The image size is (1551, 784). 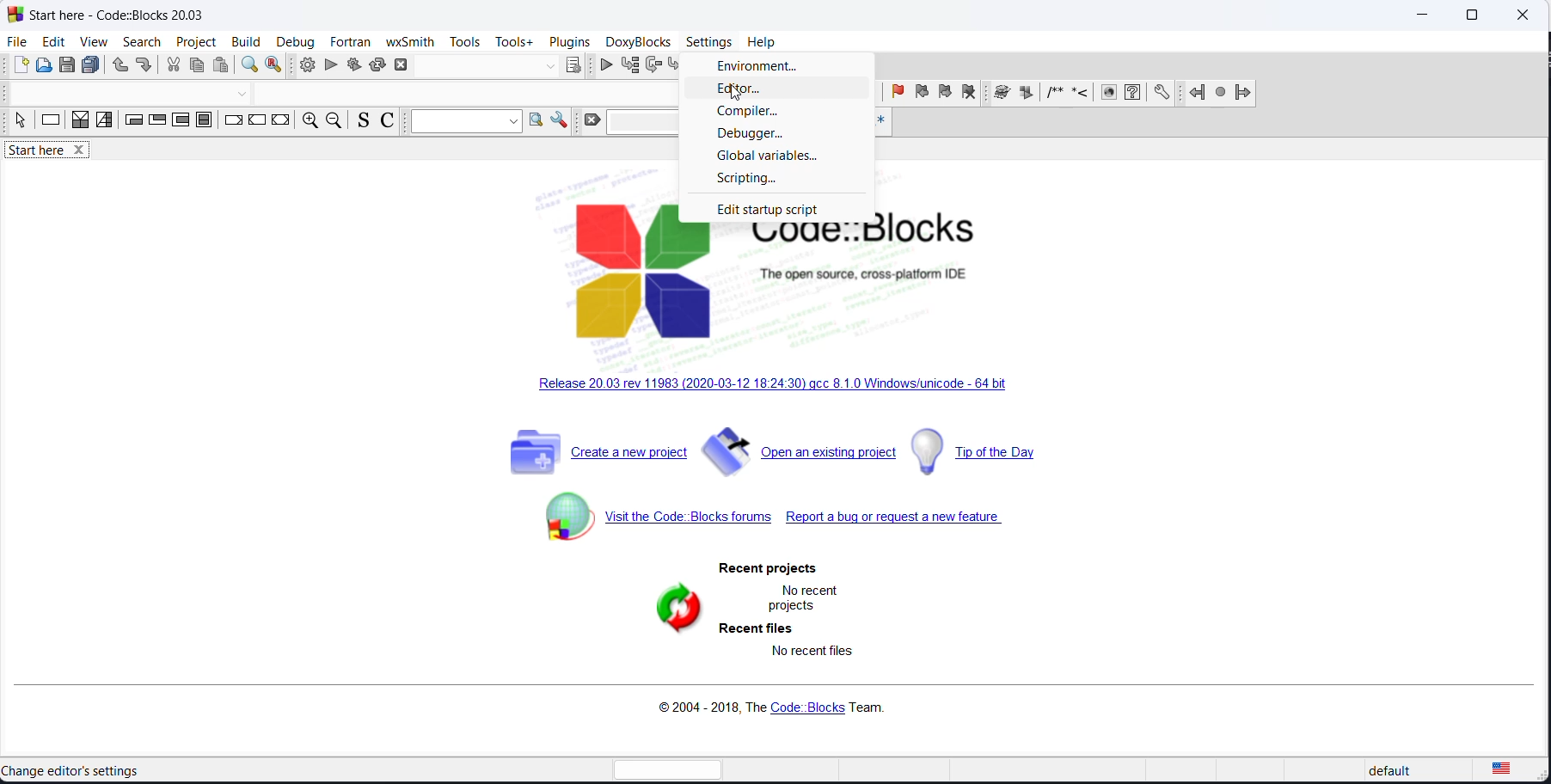 What do you see at coordinates (1470, 15) in the screenshot?
I see `maximize` at bounding box center [1470, 15].